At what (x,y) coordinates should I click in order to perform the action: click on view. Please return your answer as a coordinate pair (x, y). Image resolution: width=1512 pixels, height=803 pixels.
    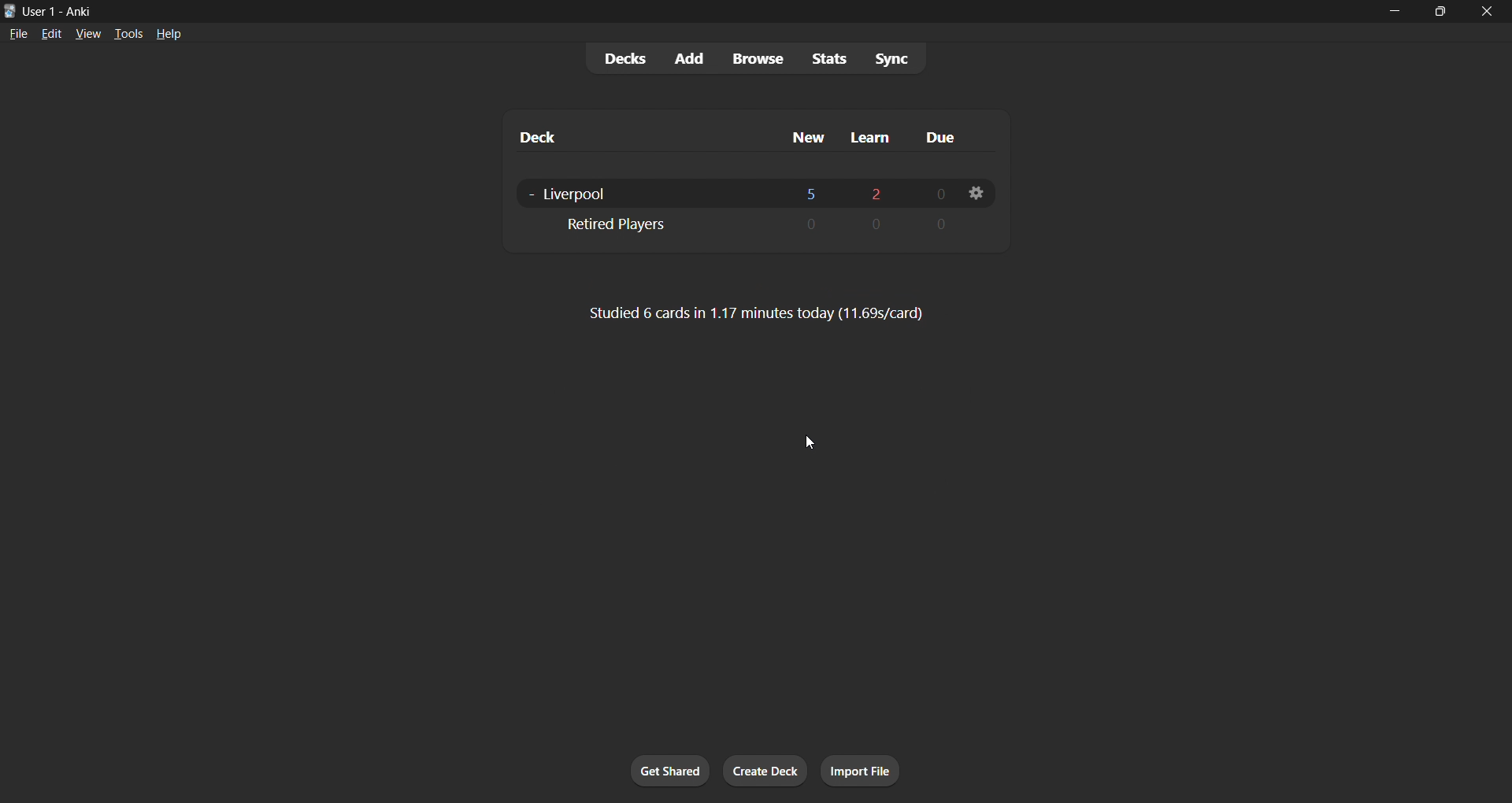
    Looking at the image, I should click on (87, 35).